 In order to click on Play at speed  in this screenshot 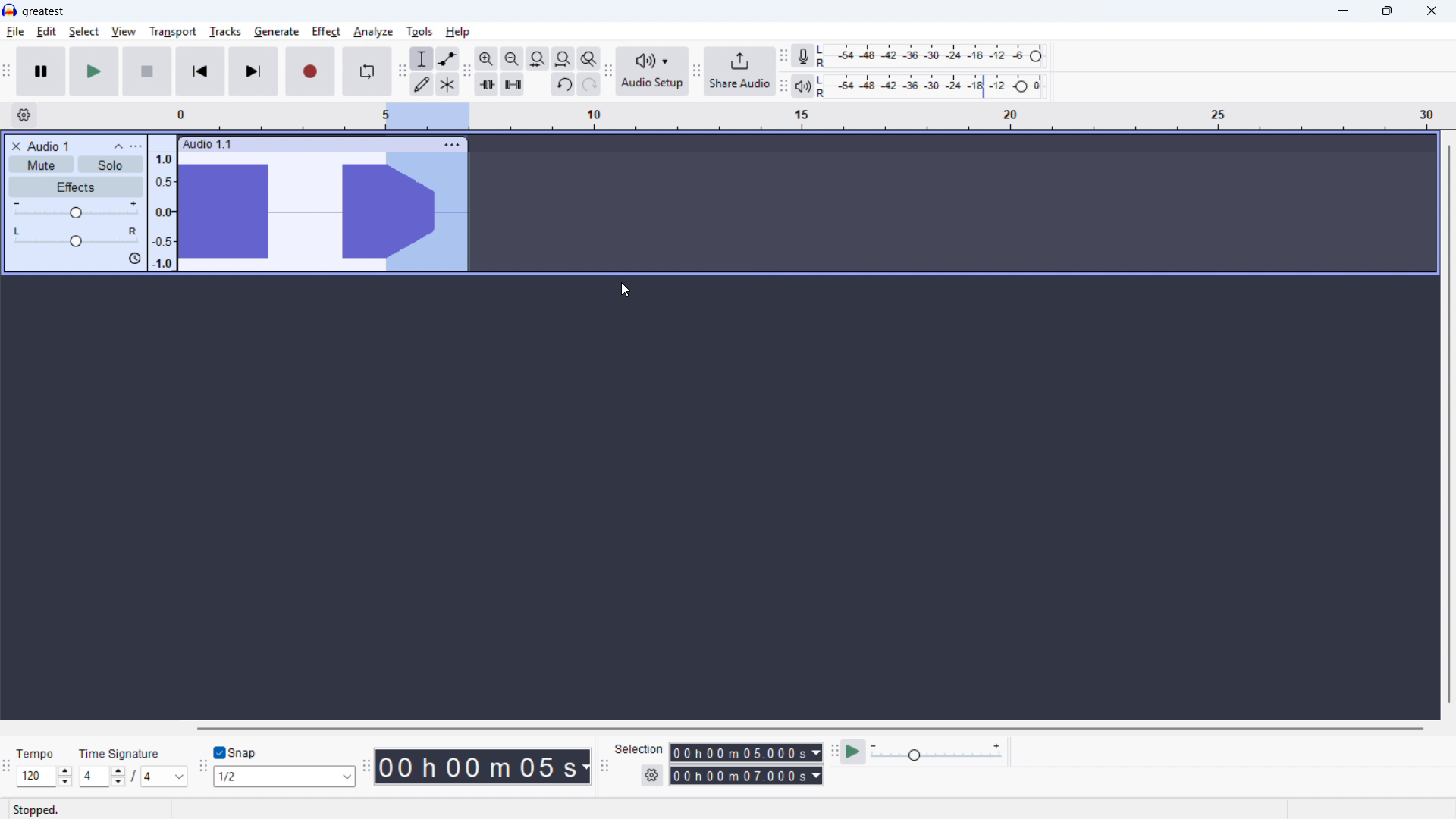, I will do `click(853, 753)`.